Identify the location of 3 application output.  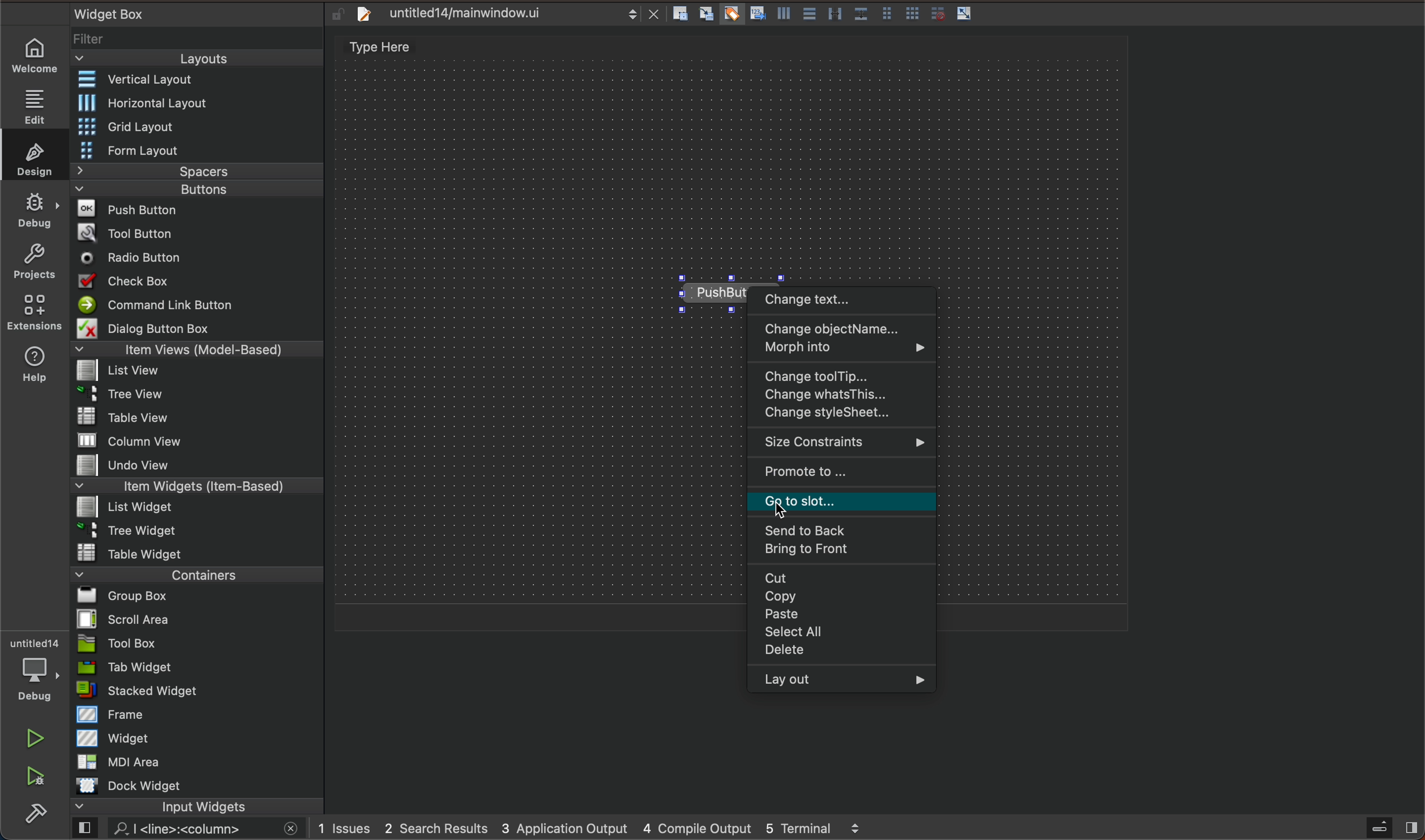
(568, 828).